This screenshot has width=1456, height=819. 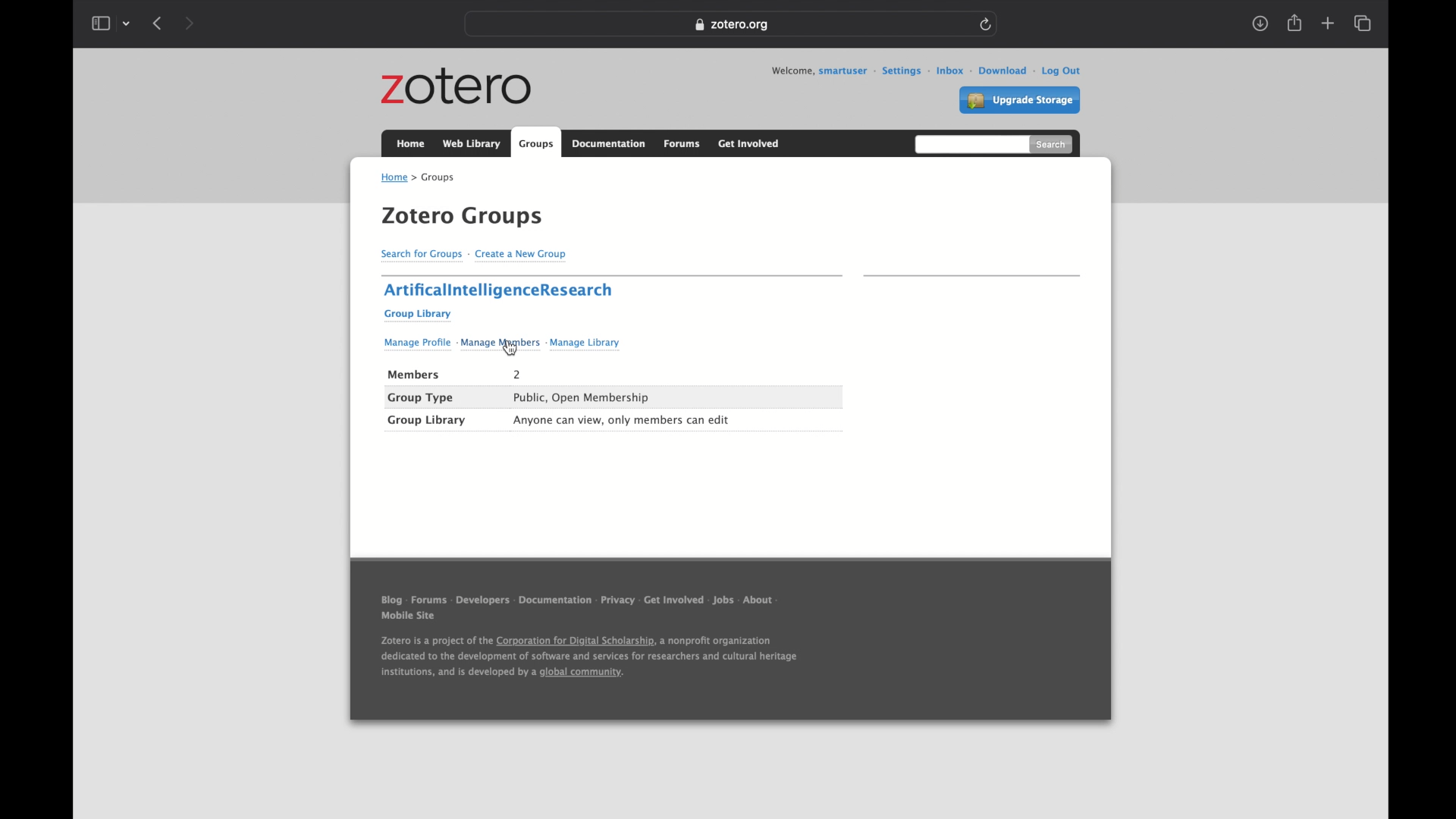 What do you see at coordinates (750, 143) in the screenshot?
I see `get involved` at bounding box center [750, 143].